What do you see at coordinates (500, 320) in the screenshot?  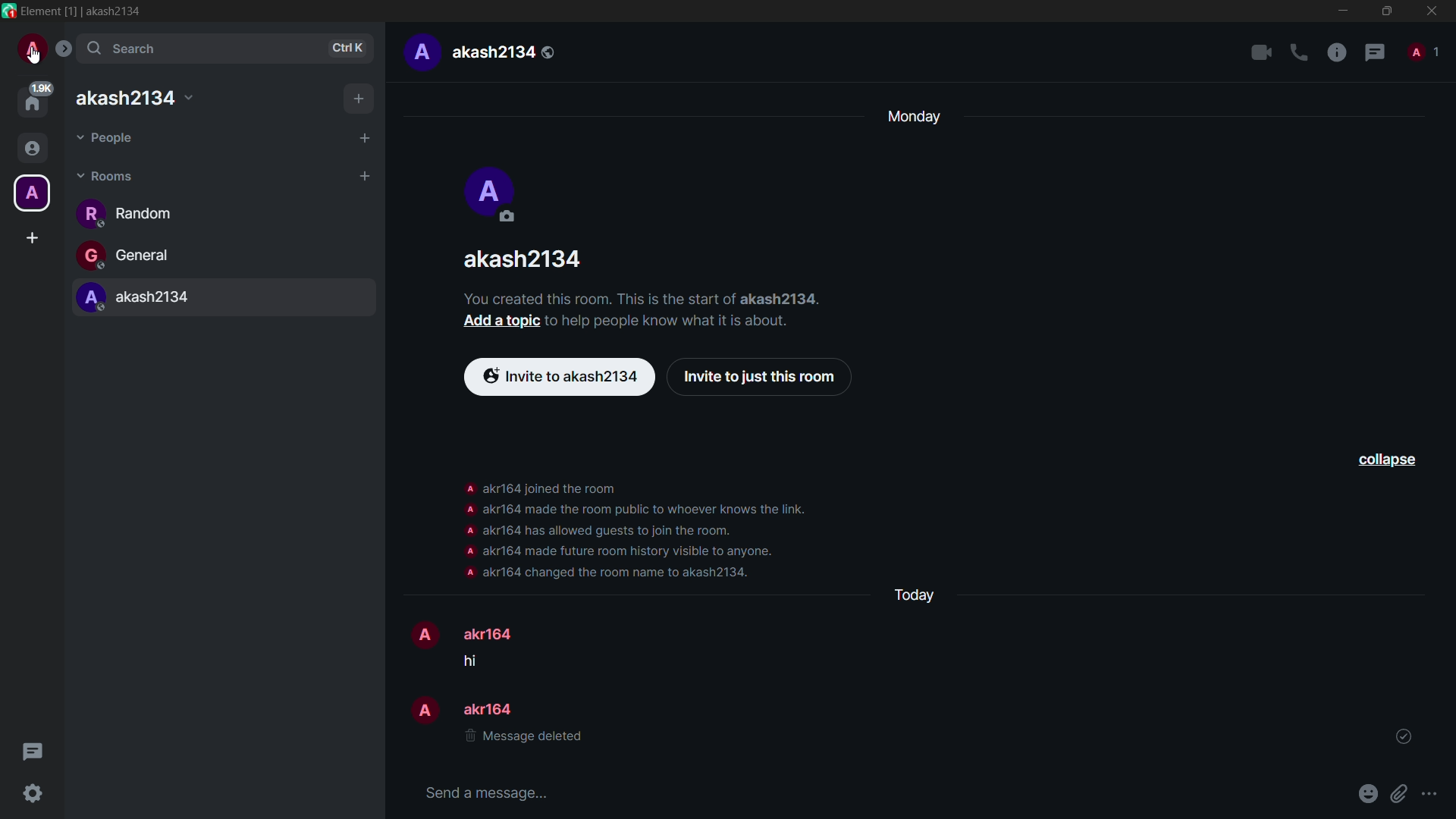 I see `add a topic` at bounding box center [500, 320].